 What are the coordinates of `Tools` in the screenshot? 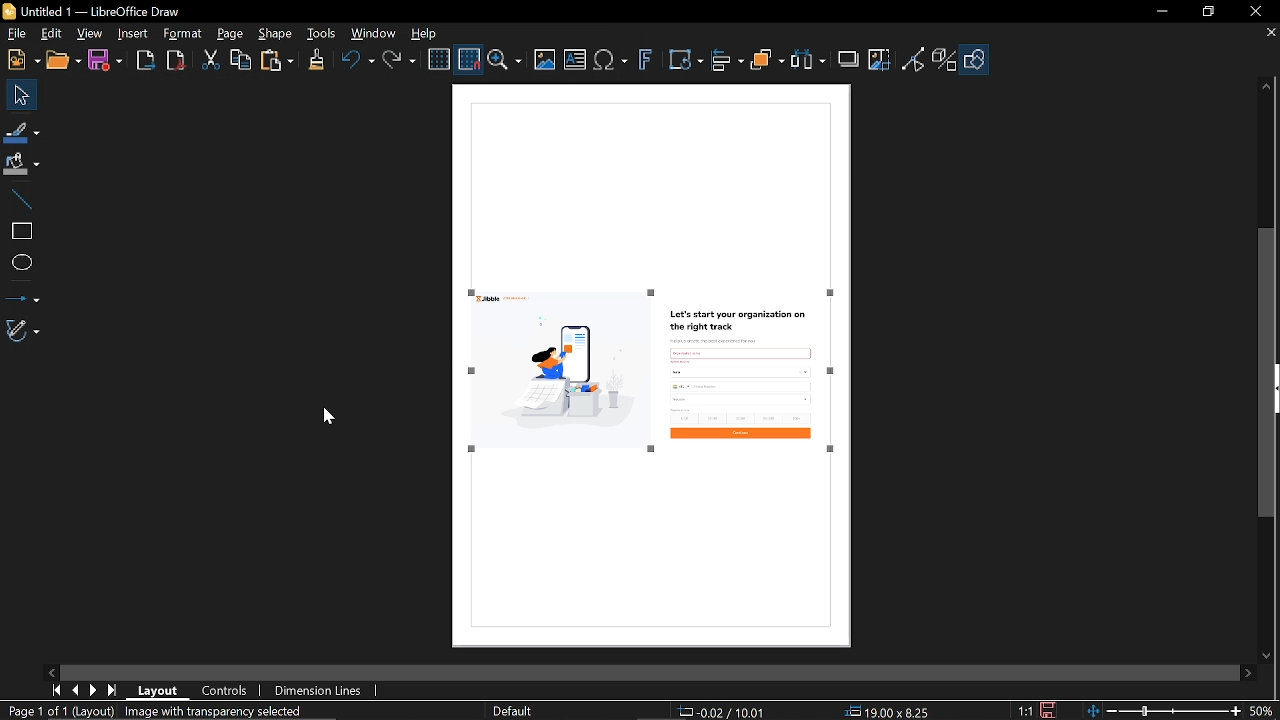 It's located at (322, 32).